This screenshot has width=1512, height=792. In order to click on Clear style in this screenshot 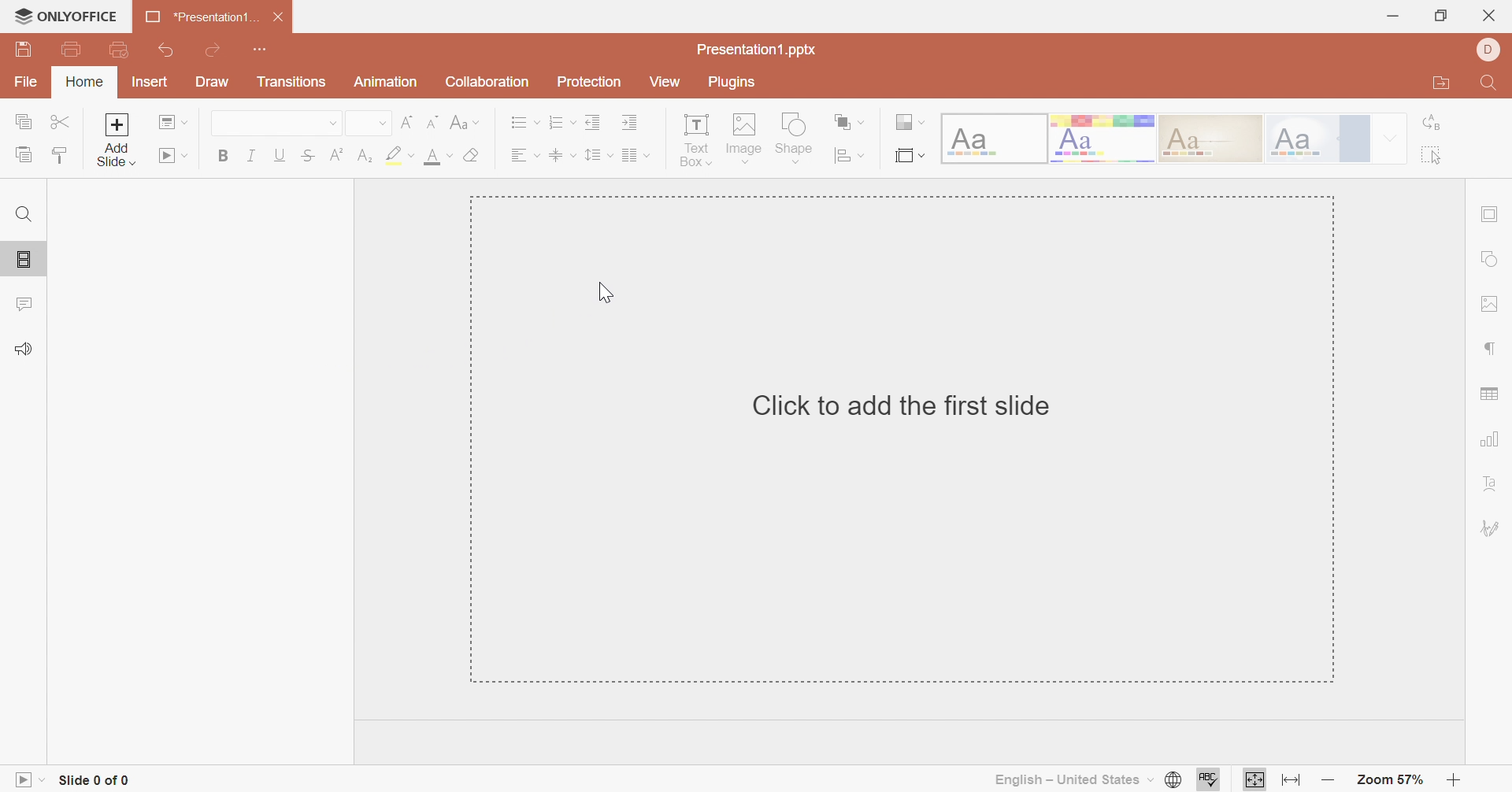, I will do `click(472, 154)`.